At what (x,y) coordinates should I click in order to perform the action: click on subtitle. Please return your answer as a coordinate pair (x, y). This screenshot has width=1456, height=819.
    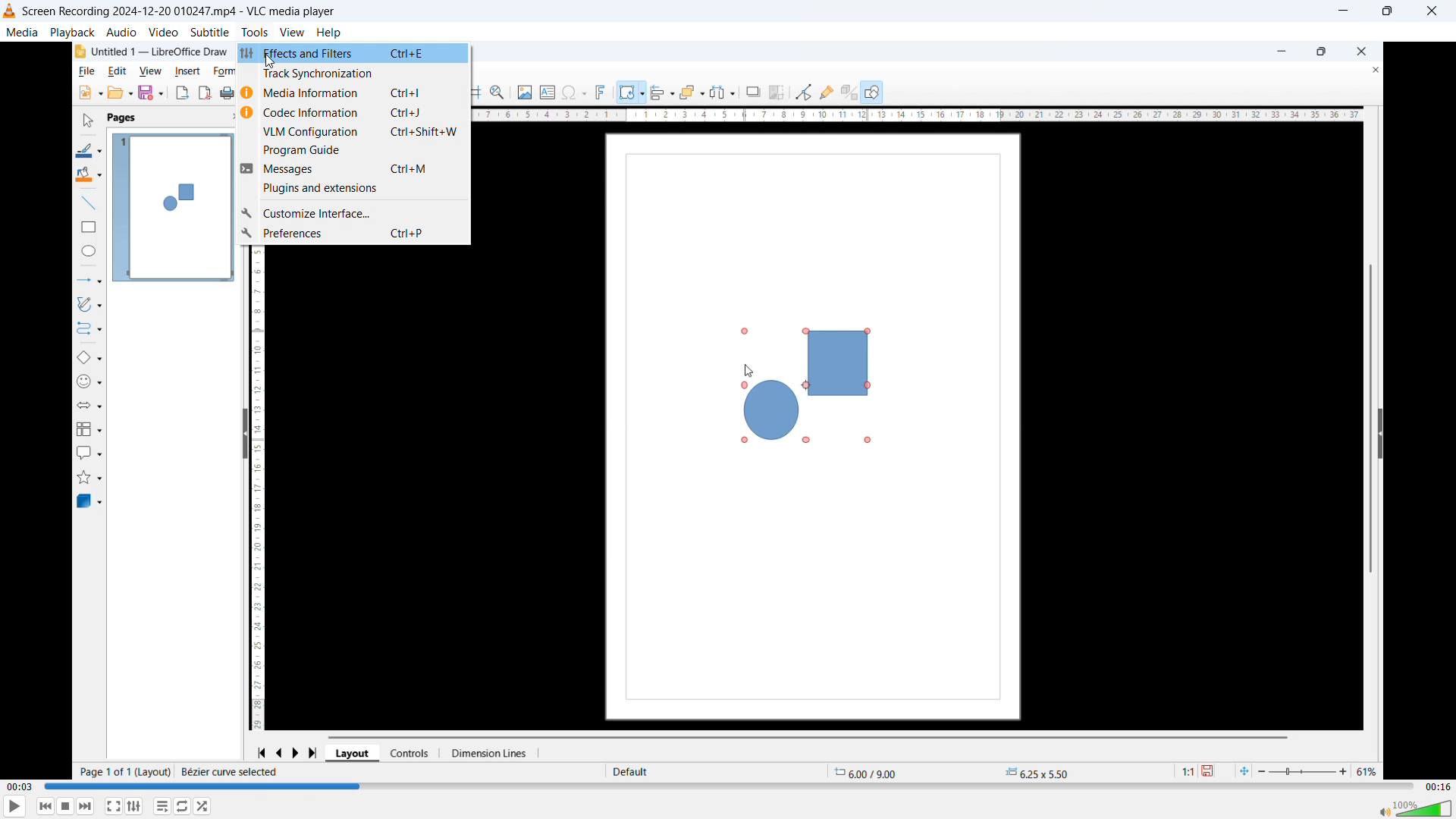
    Looking at the image, I should click on (210, 31).